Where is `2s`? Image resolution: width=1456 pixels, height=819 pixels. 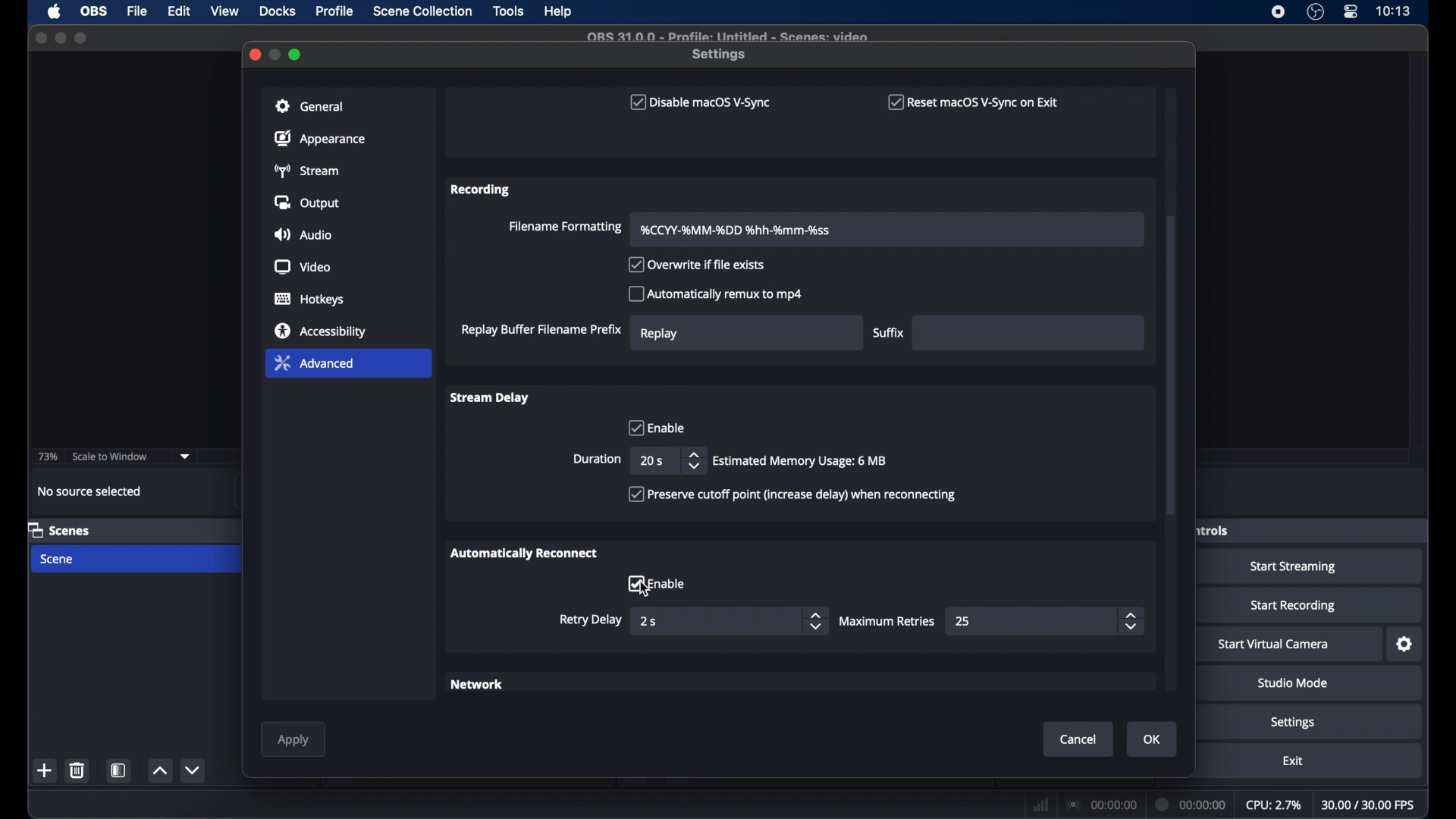 2s is located at coordinates (650, 621).